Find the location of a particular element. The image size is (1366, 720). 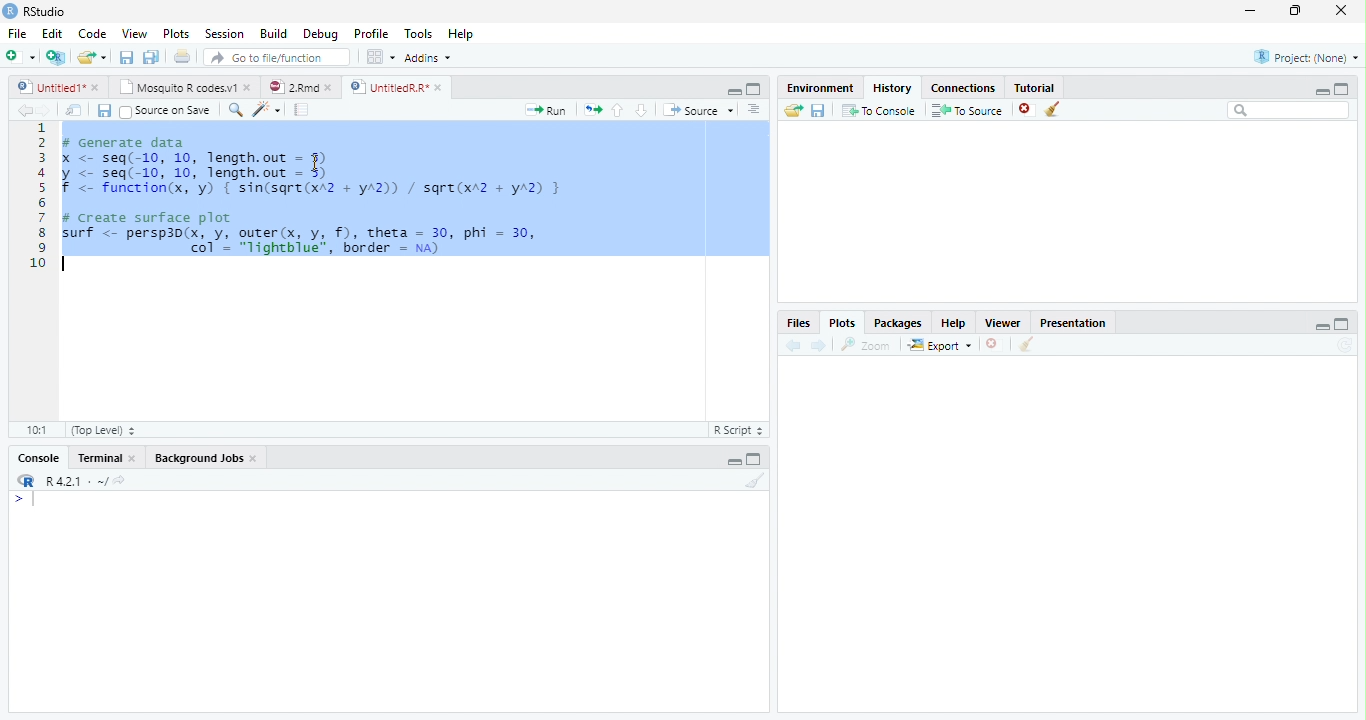

cursor is located at coordinates (318, 164).